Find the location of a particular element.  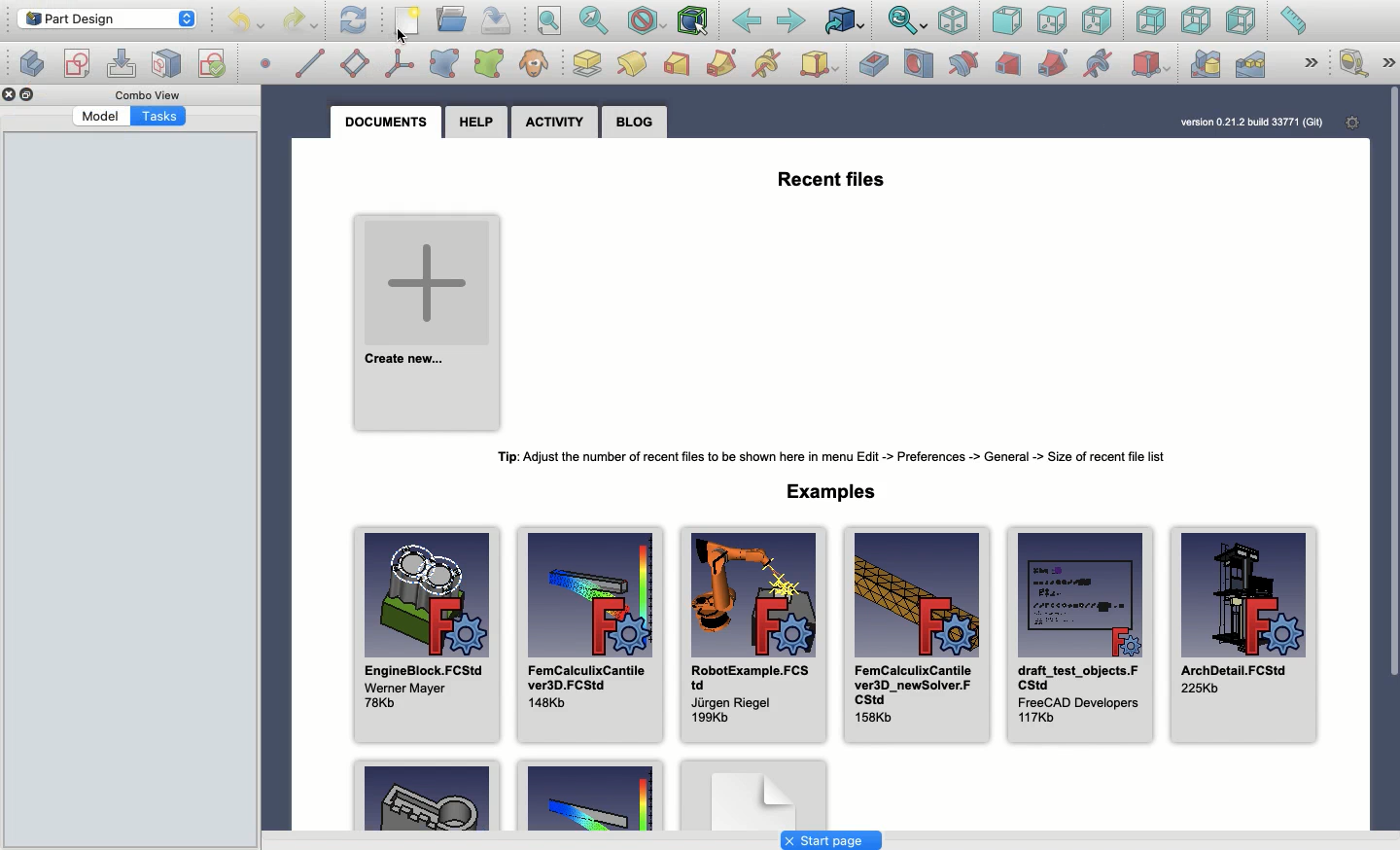

Additive helix is located at coordinates (765, 65).